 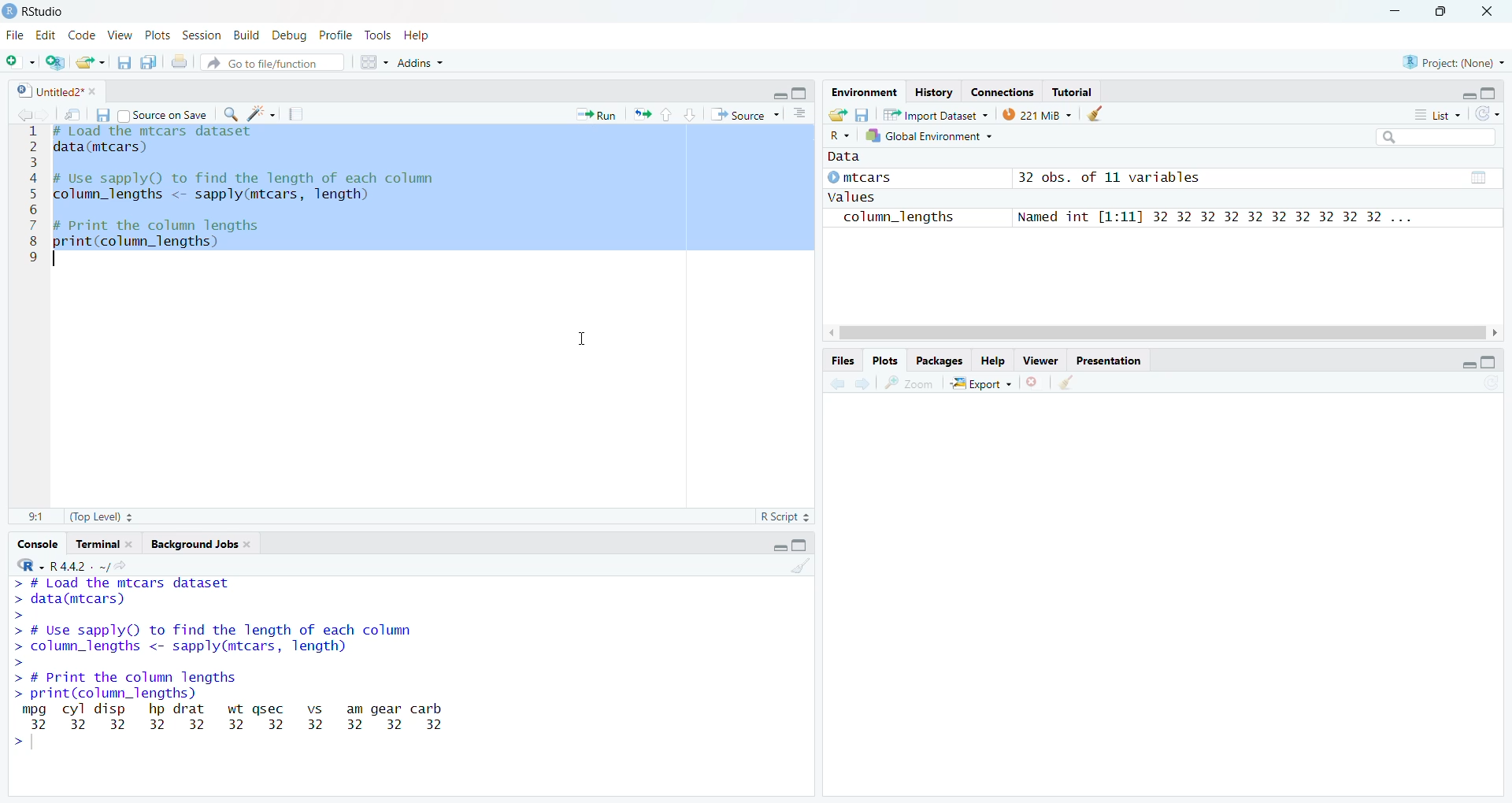 What do you see at coordinates (47, 35) in the screenshot?
I see `Edit` at bounding box center [47, 35].